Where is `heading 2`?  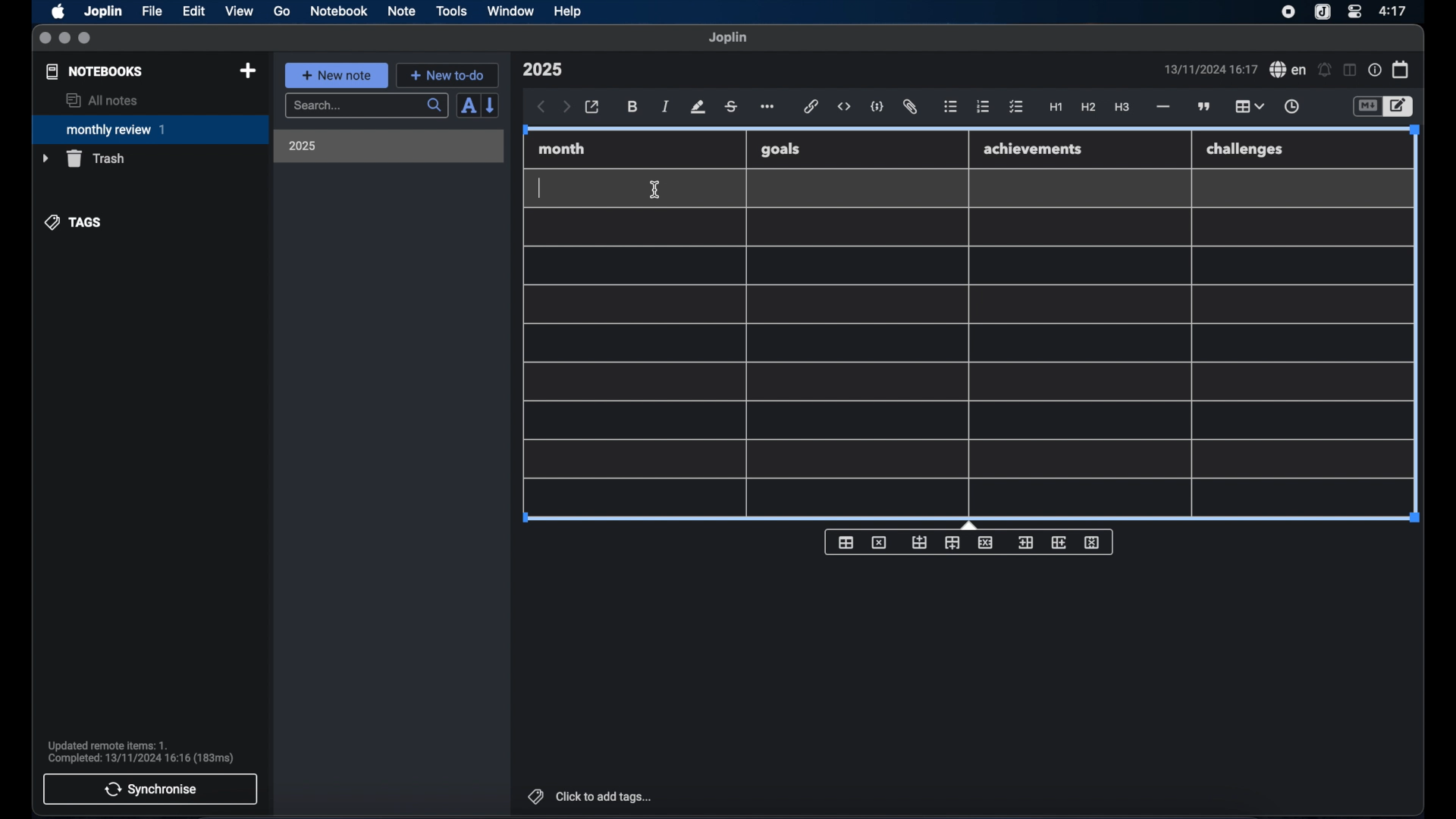 heading 2 is located at coordinates (1089, 108).